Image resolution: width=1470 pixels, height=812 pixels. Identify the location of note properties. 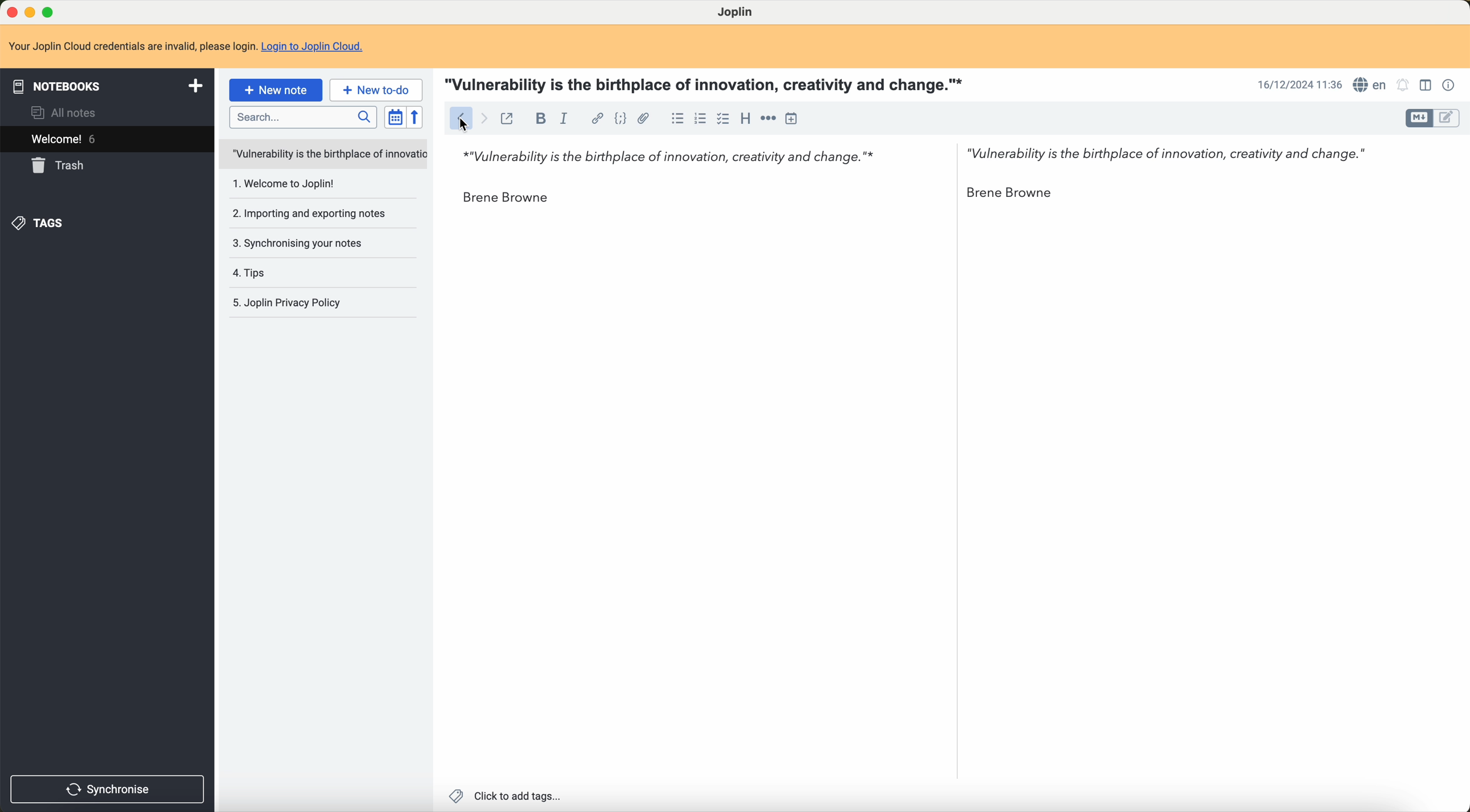
(1449, 85).